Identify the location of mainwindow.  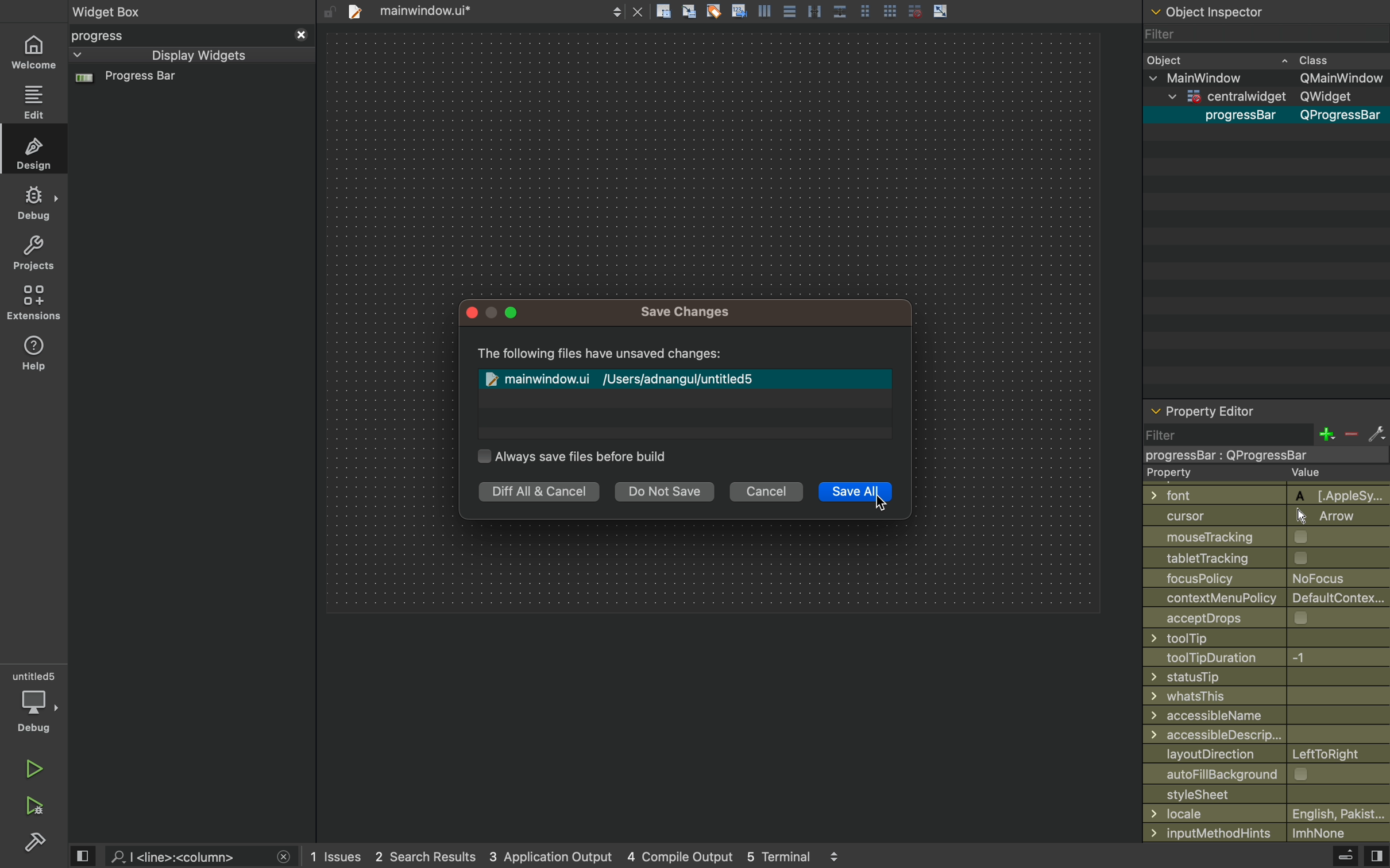
(1269, 77).